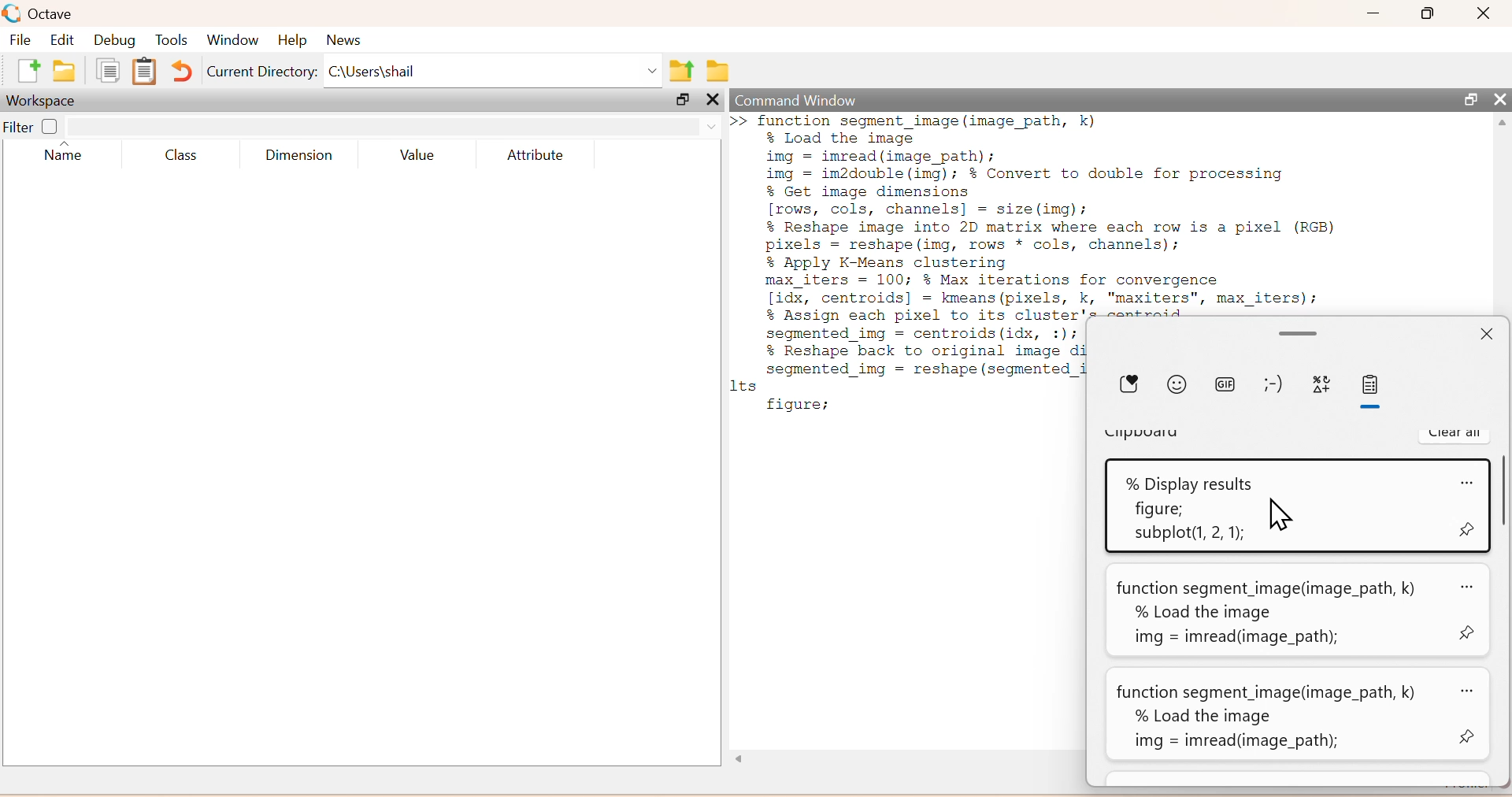 The height and width of the screenshot is (797, 1512). I want to click on Window, so click(229, 42).